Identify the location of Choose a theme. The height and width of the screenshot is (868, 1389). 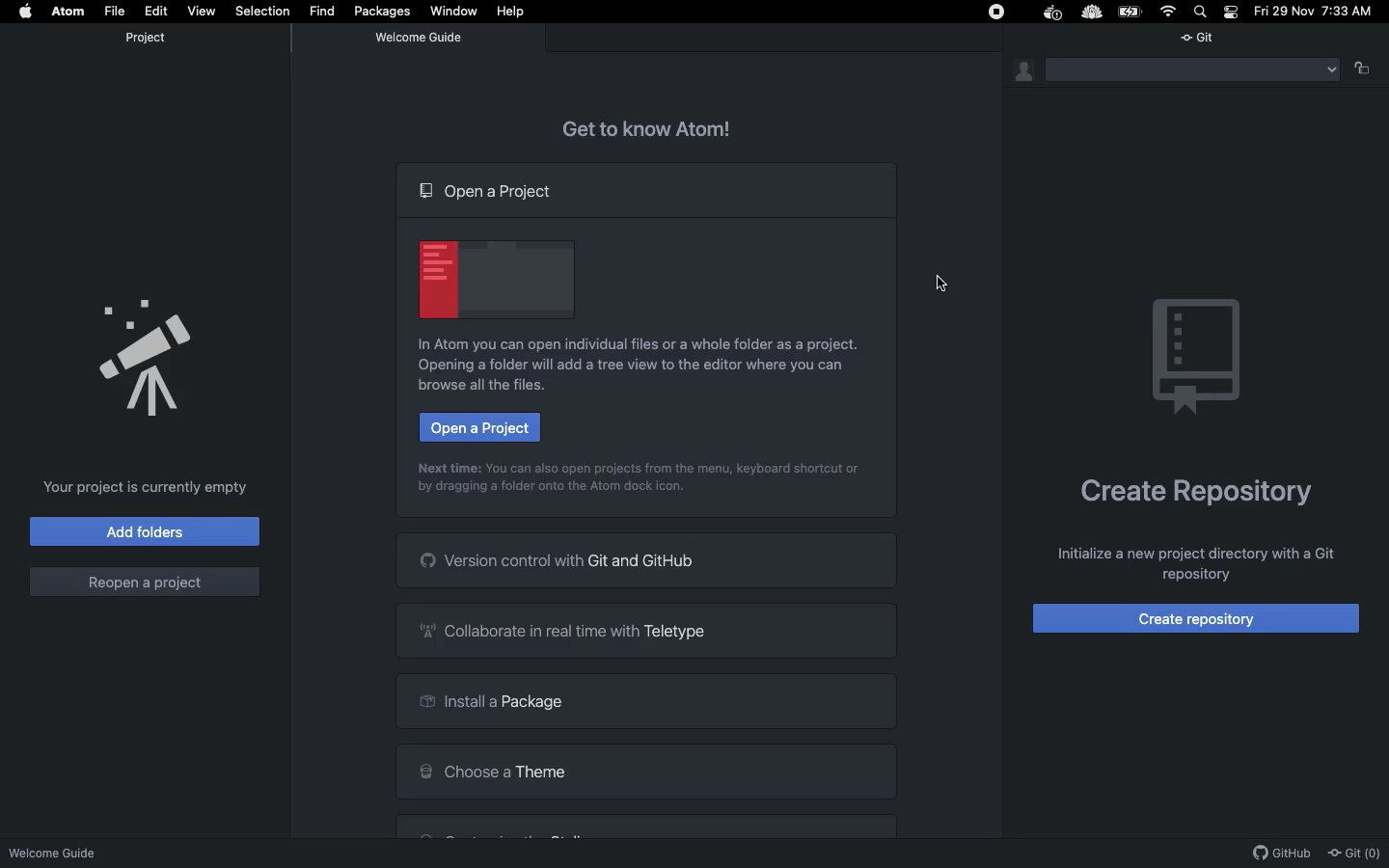
(645, 769).